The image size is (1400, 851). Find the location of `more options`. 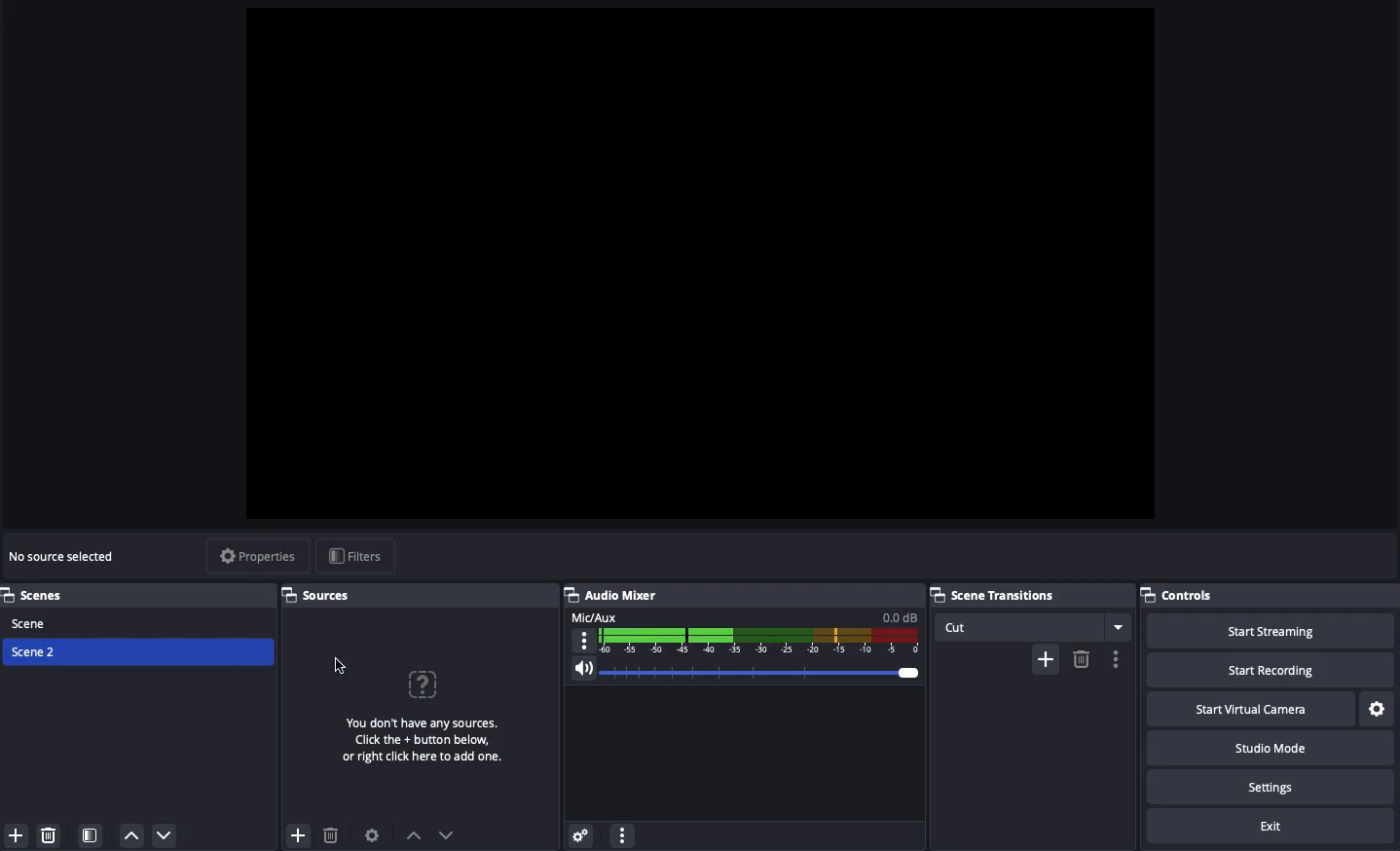

more options is located at coordinates (1119, 659).